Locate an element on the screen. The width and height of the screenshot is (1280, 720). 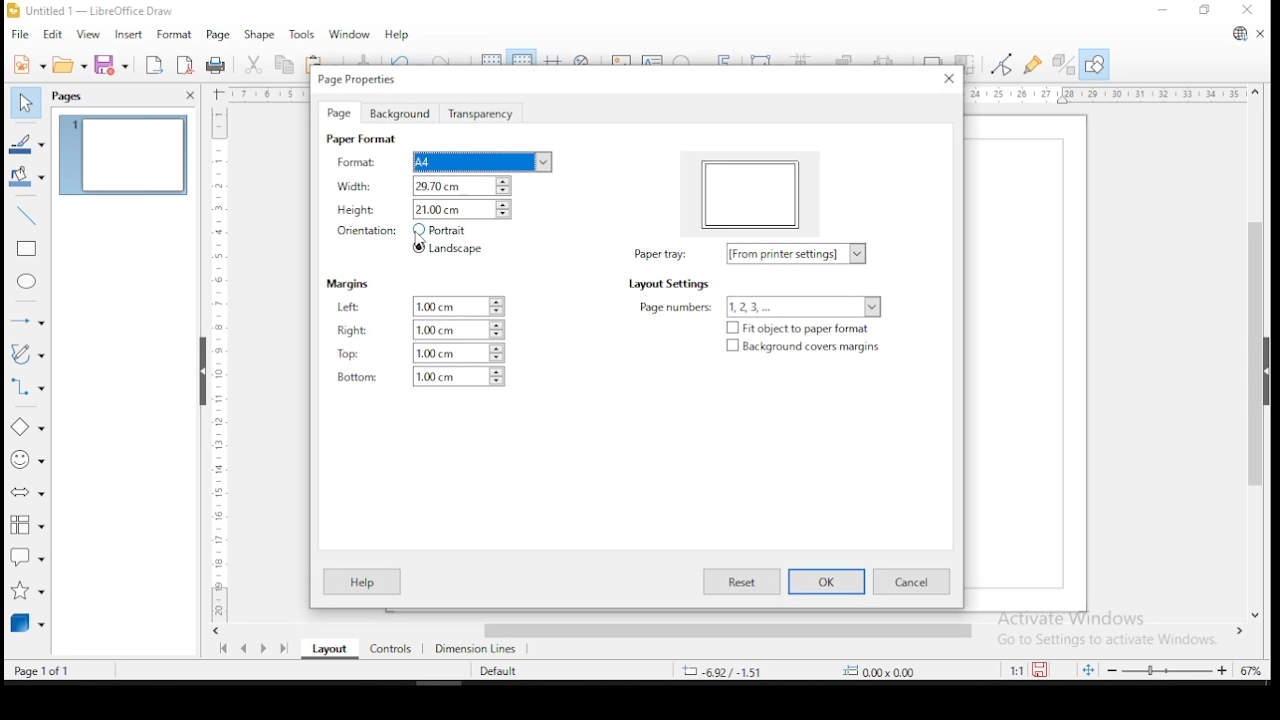
transformations is located at coordinates (764, 58).